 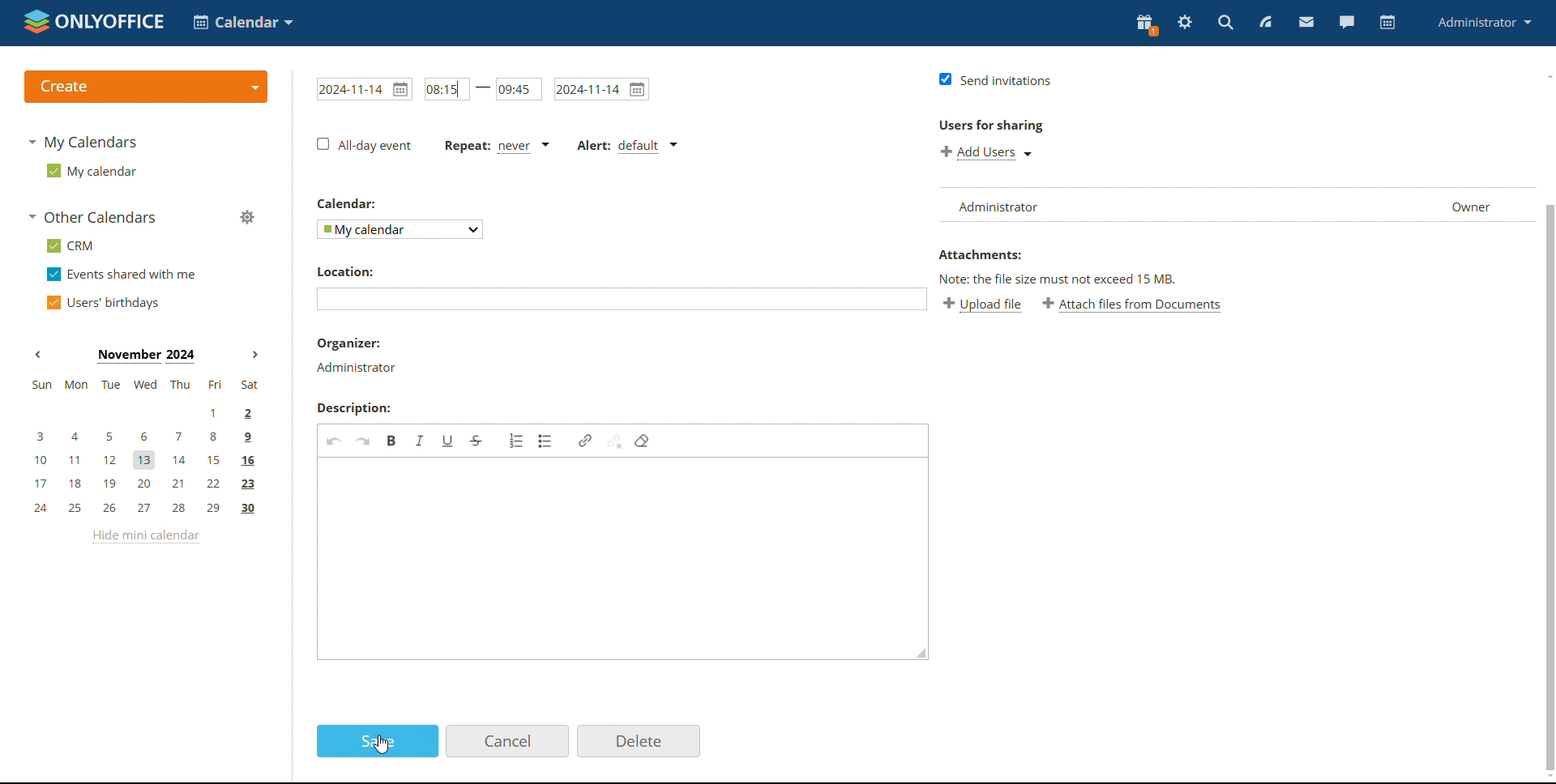 What do you see at coordinates (363, 440) in the screenshot?
I see `Redo` at bounding box center [363, 440].